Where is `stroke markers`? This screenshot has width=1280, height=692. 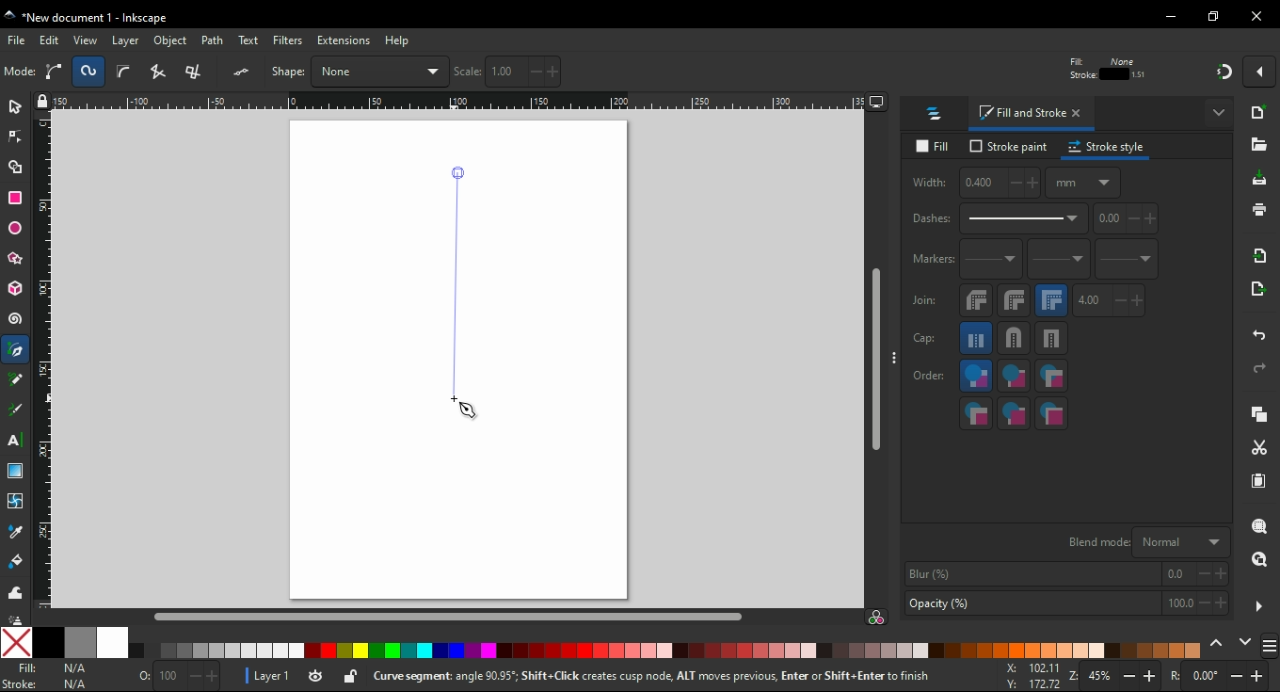 stroke markers is located at coordinates (1014, 413).